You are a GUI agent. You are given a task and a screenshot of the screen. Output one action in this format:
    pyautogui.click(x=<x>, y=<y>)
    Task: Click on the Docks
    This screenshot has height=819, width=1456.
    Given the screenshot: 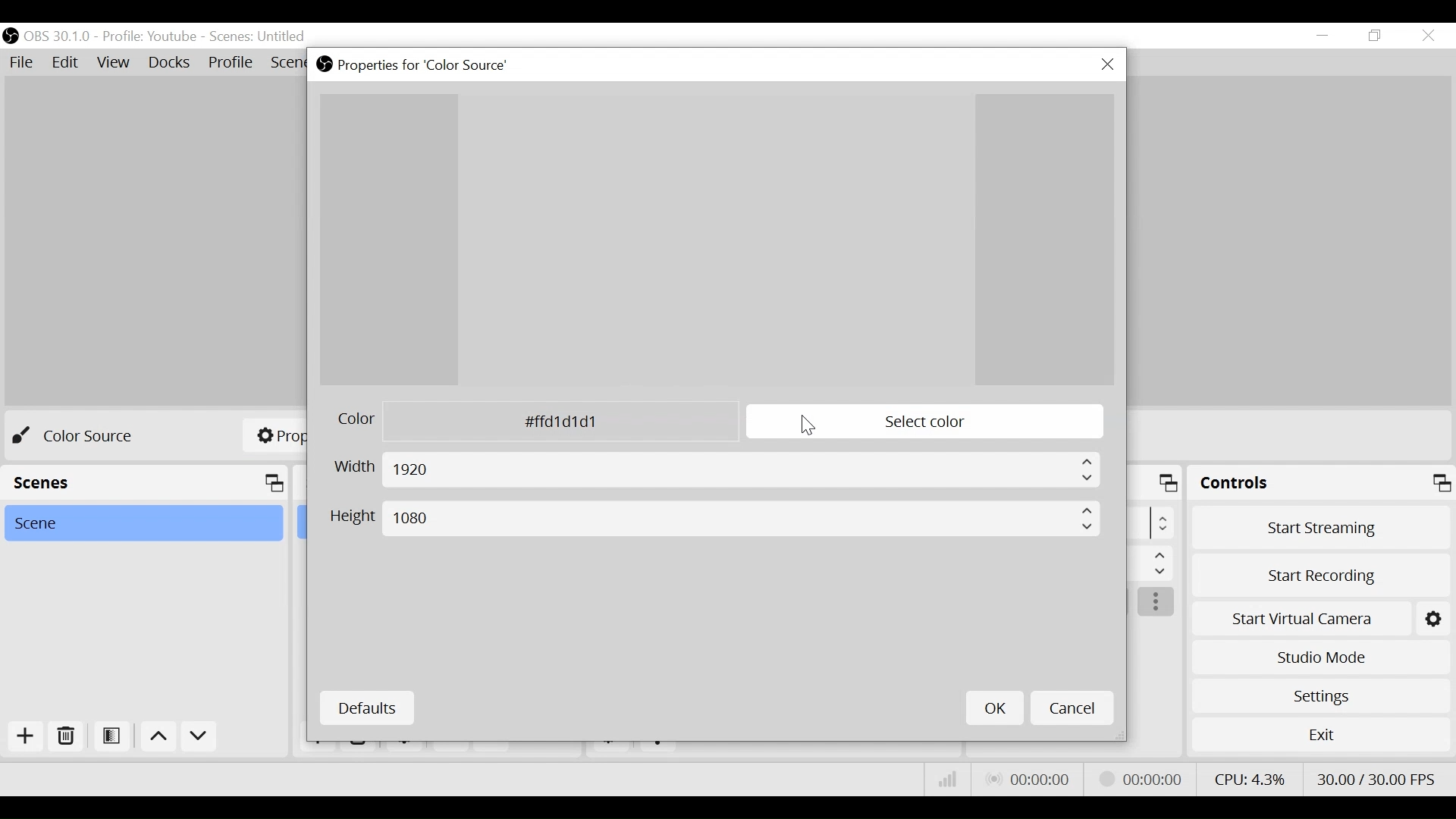 What is the action you would take?
    pyautogui.click(x=171, y=63)
    